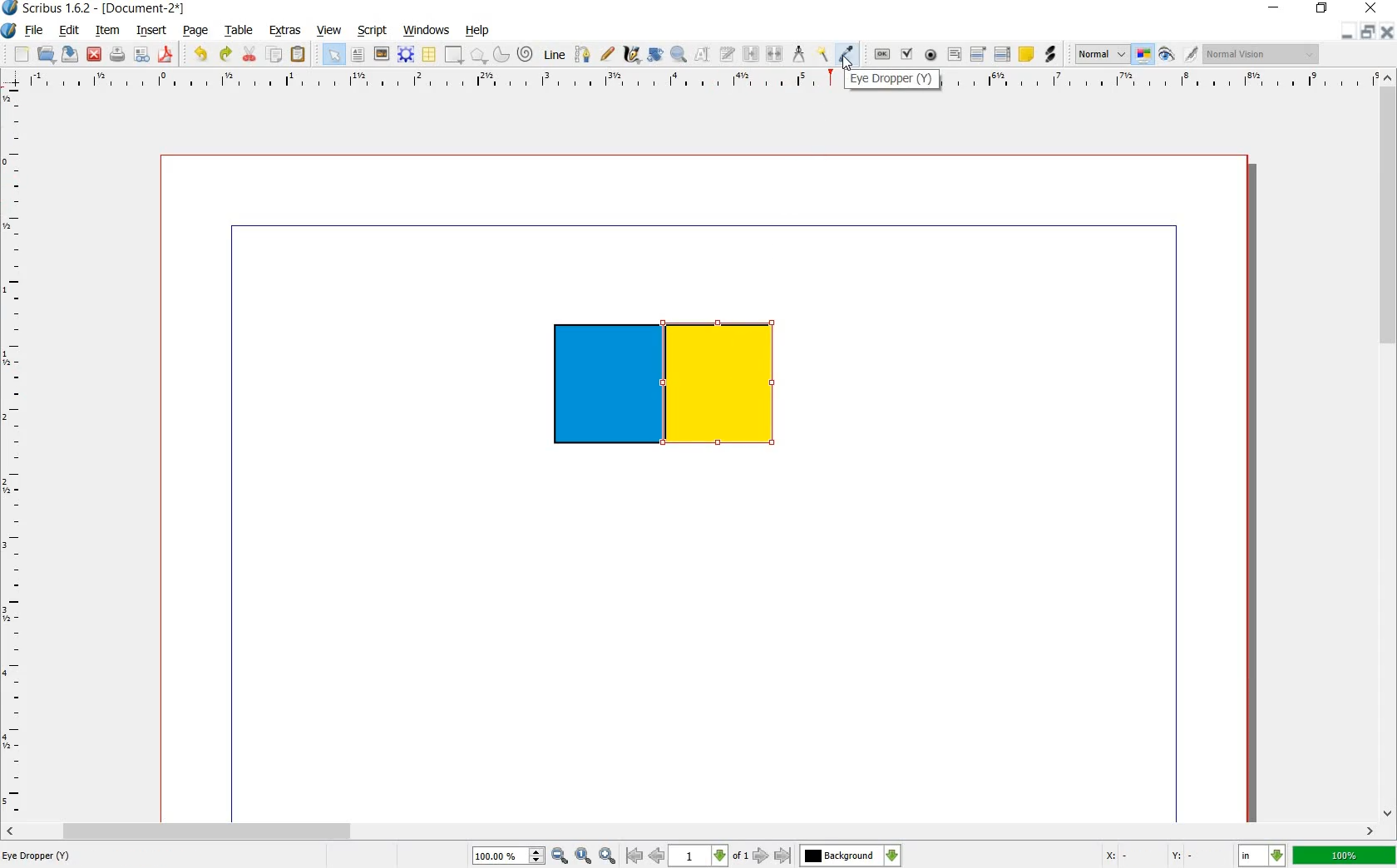  What do you see at coordinates (274, 56) in the screenshot?
I see `copy` at bounding box center [274, 56].